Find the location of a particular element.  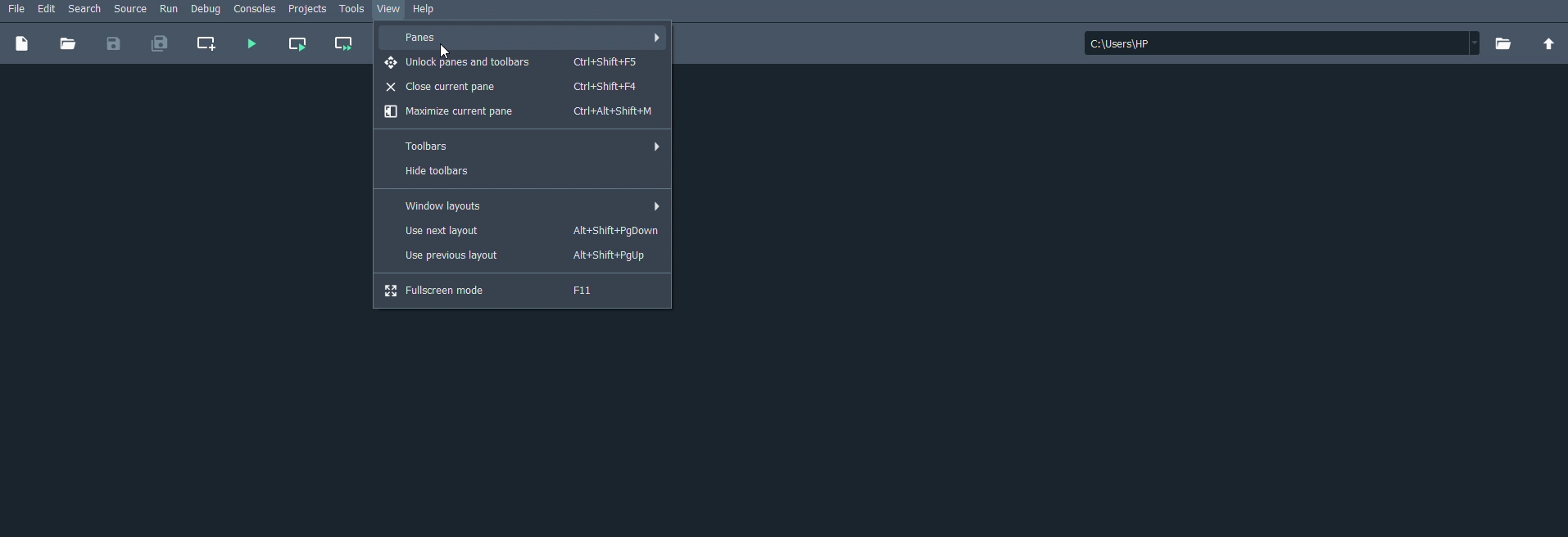

View is located at coordinates (390, 10).